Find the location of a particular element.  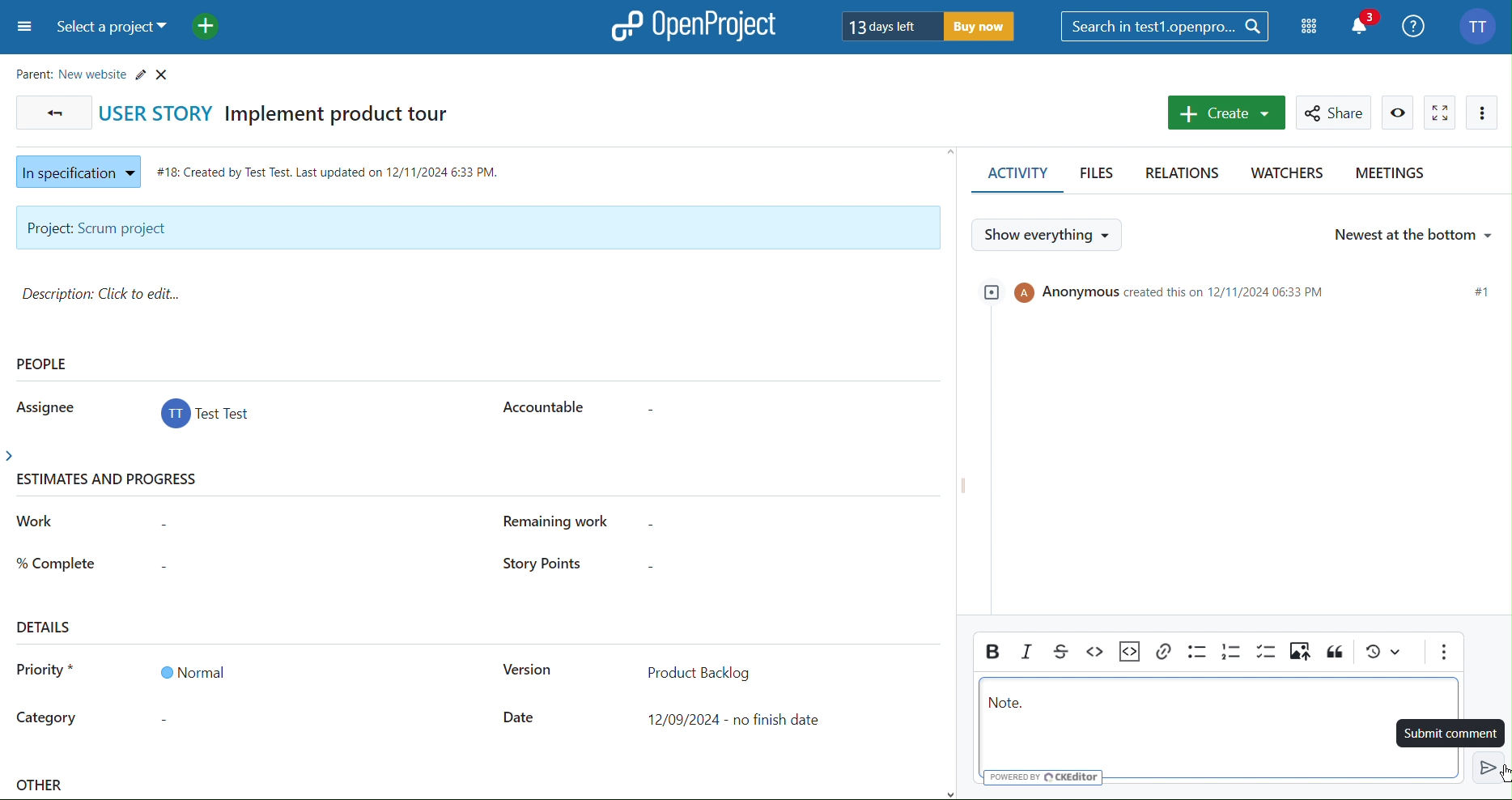

Italic is located at coordinates (1028, 651).